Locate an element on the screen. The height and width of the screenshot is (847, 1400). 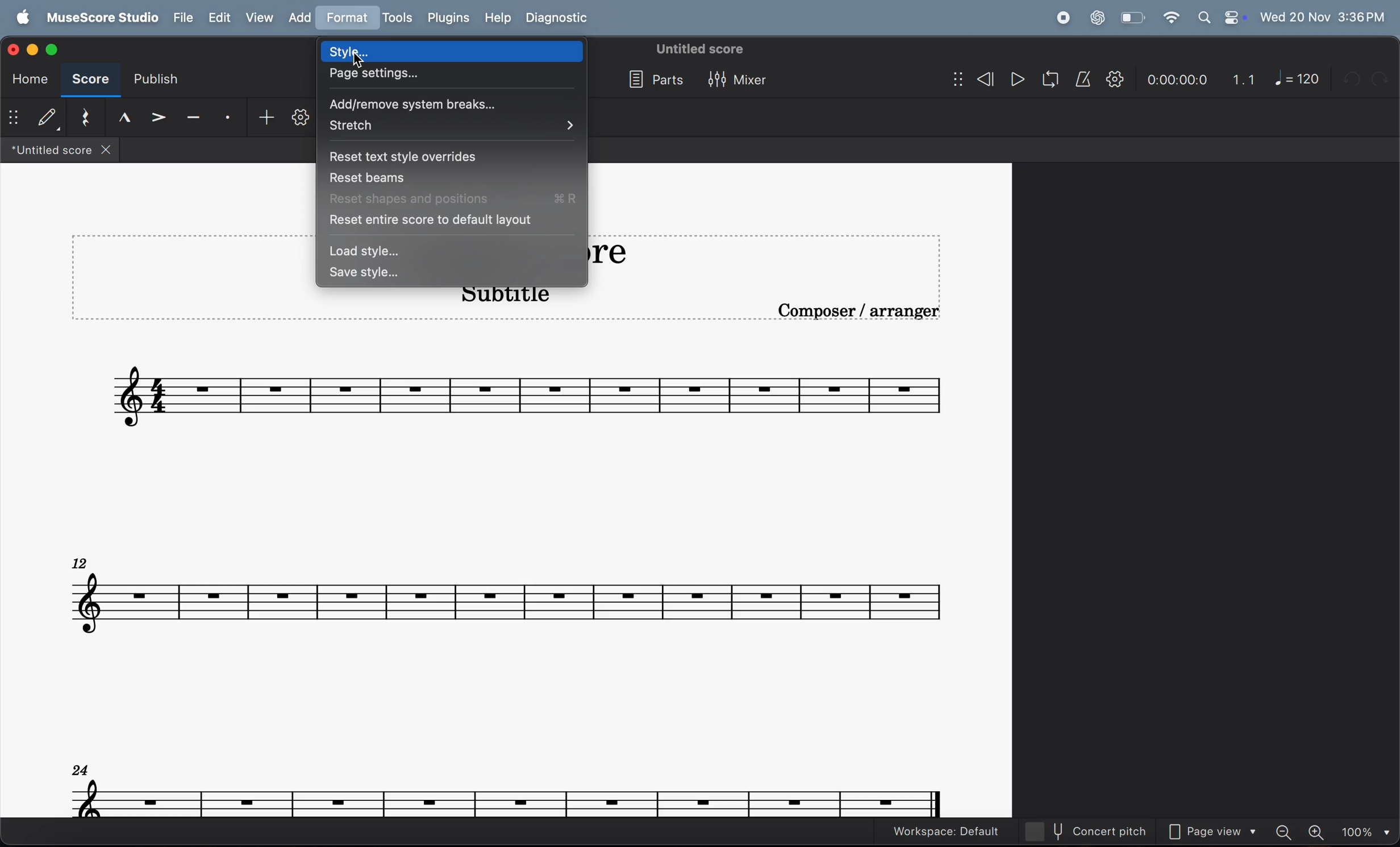
style is located at coordinates (453, 51).